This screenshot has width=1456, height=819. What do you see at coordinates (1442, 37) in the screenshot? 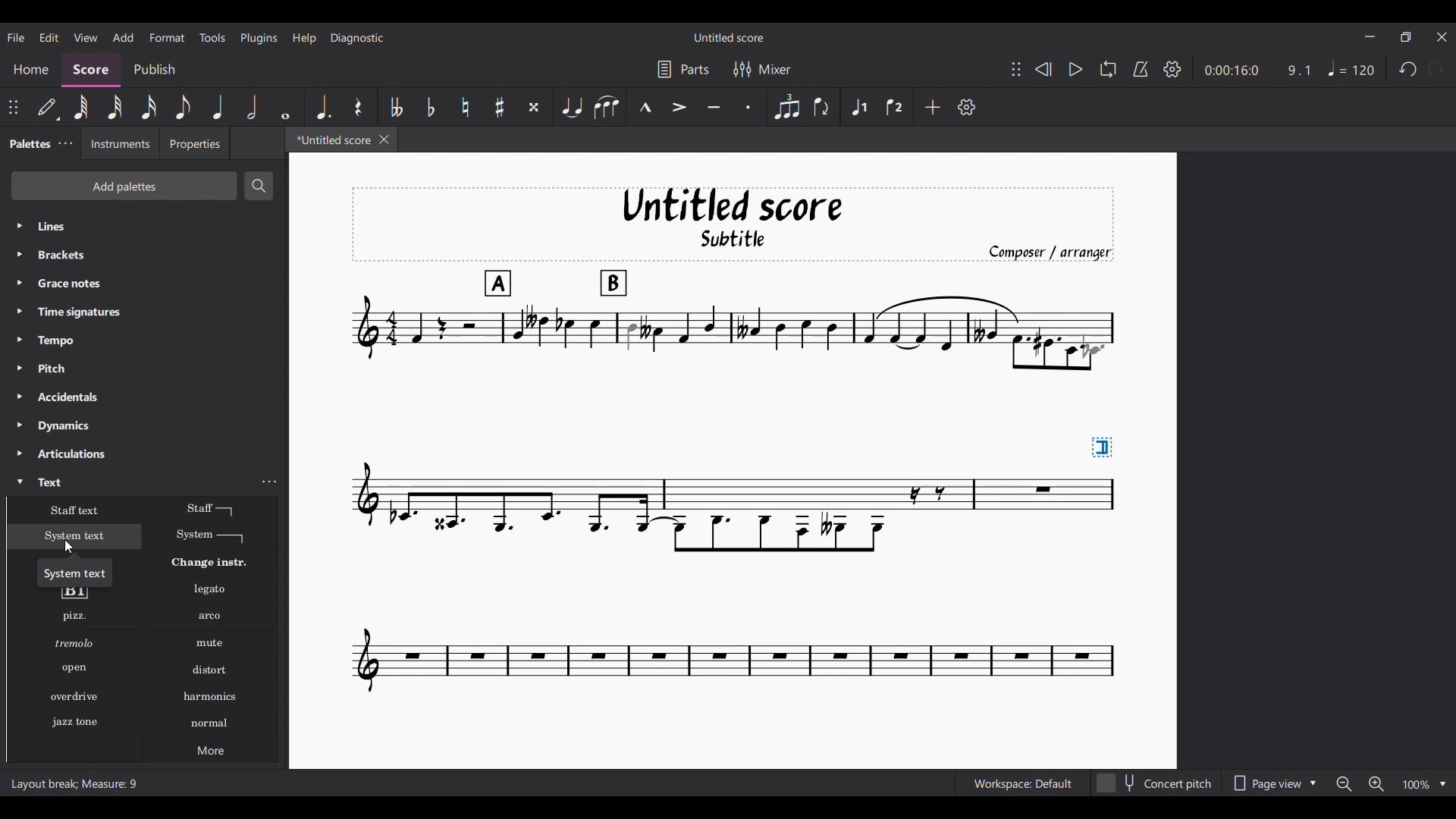
I see `Close interface` at bounding box center [1442, 37].